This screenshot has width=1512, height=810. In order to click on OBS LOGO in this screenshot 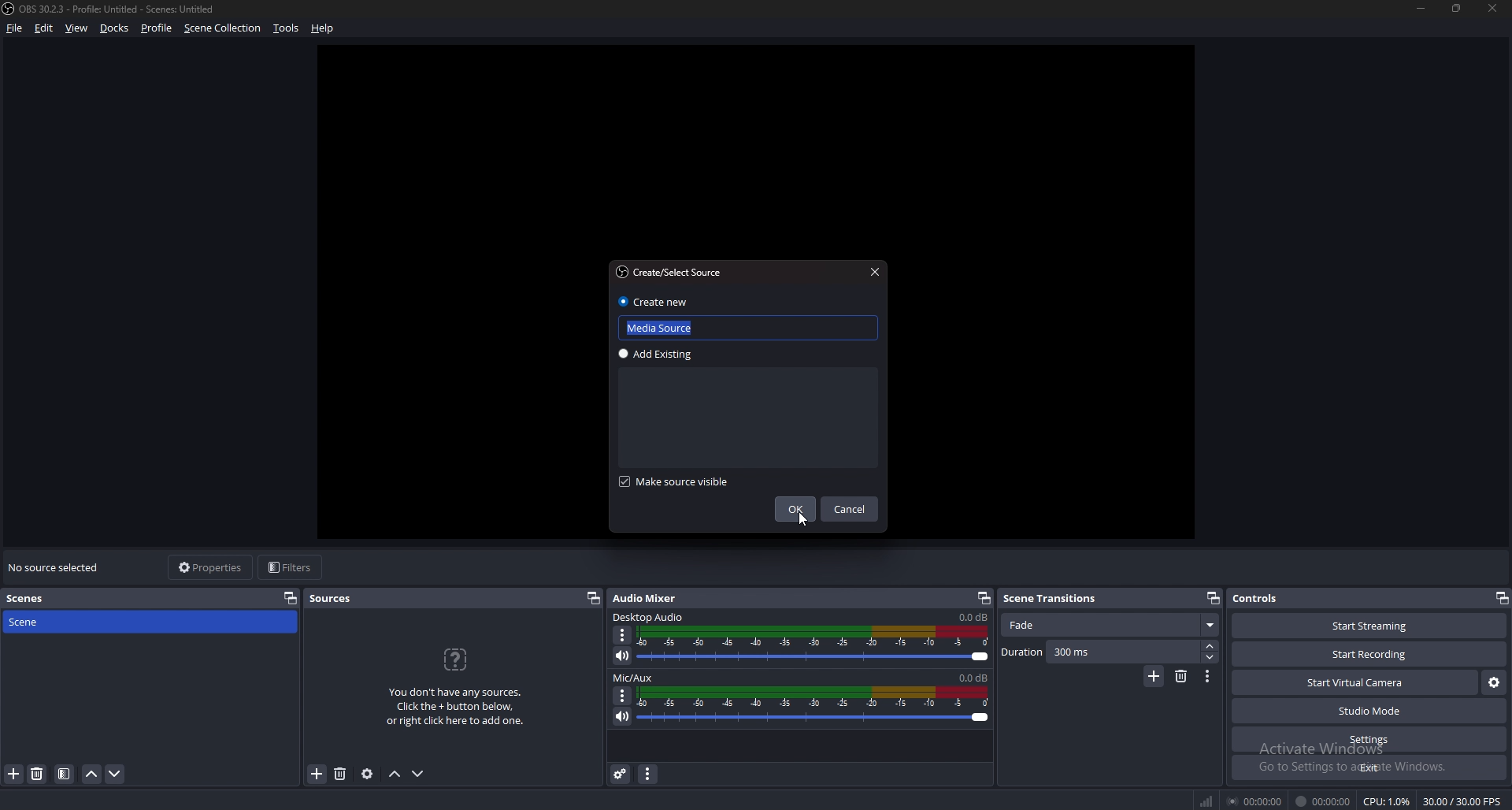, I will do `click(9, 9)`.